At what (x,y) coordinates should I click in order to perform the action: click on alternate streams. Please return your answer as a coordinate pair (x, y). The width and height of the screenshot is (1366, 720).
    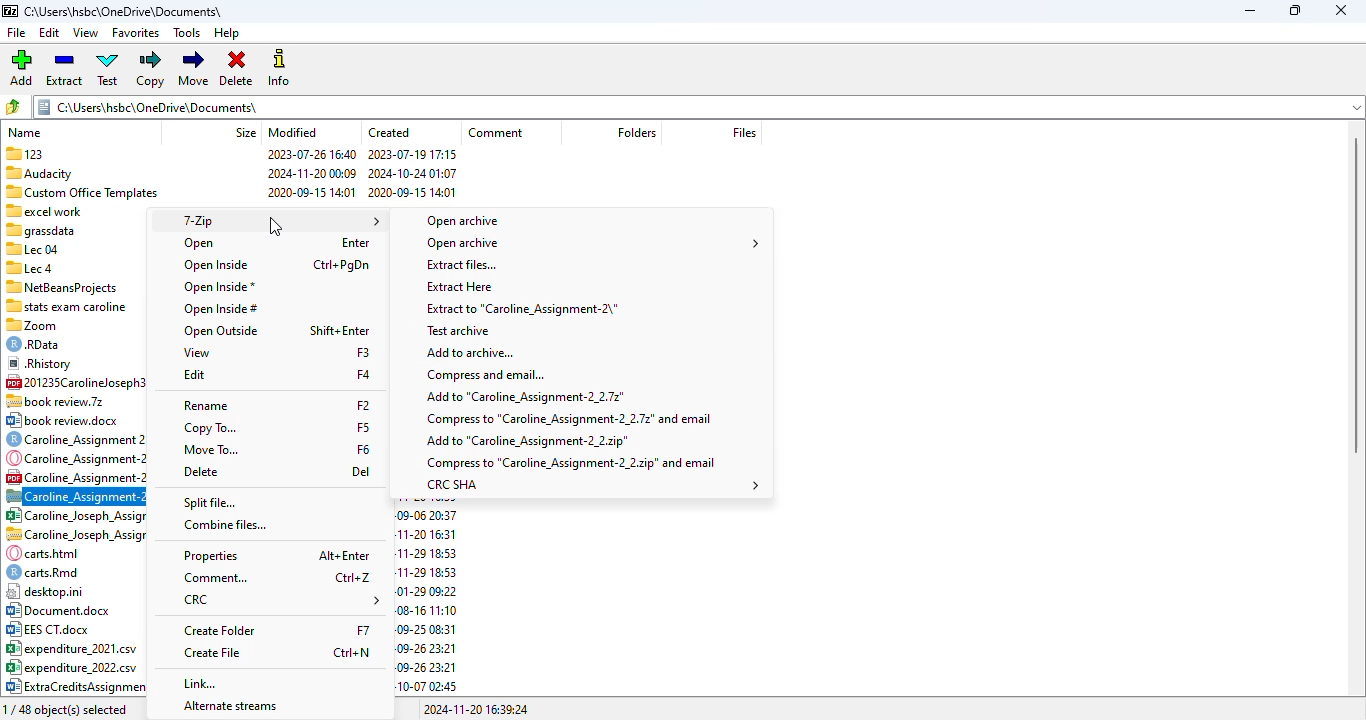
    Looking at the image, I should click on (231, 708).